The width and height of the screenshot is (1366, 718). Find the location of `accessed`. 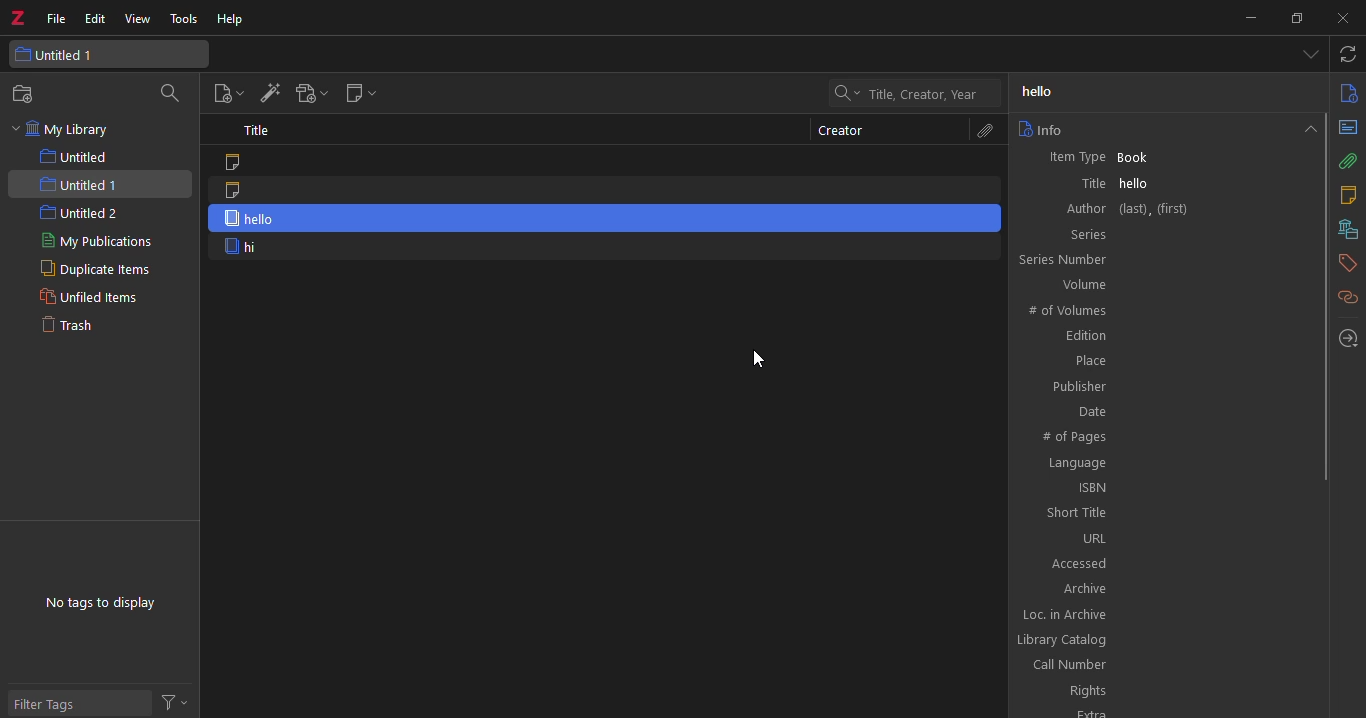

accessed is located at coordinates (1162, 562).